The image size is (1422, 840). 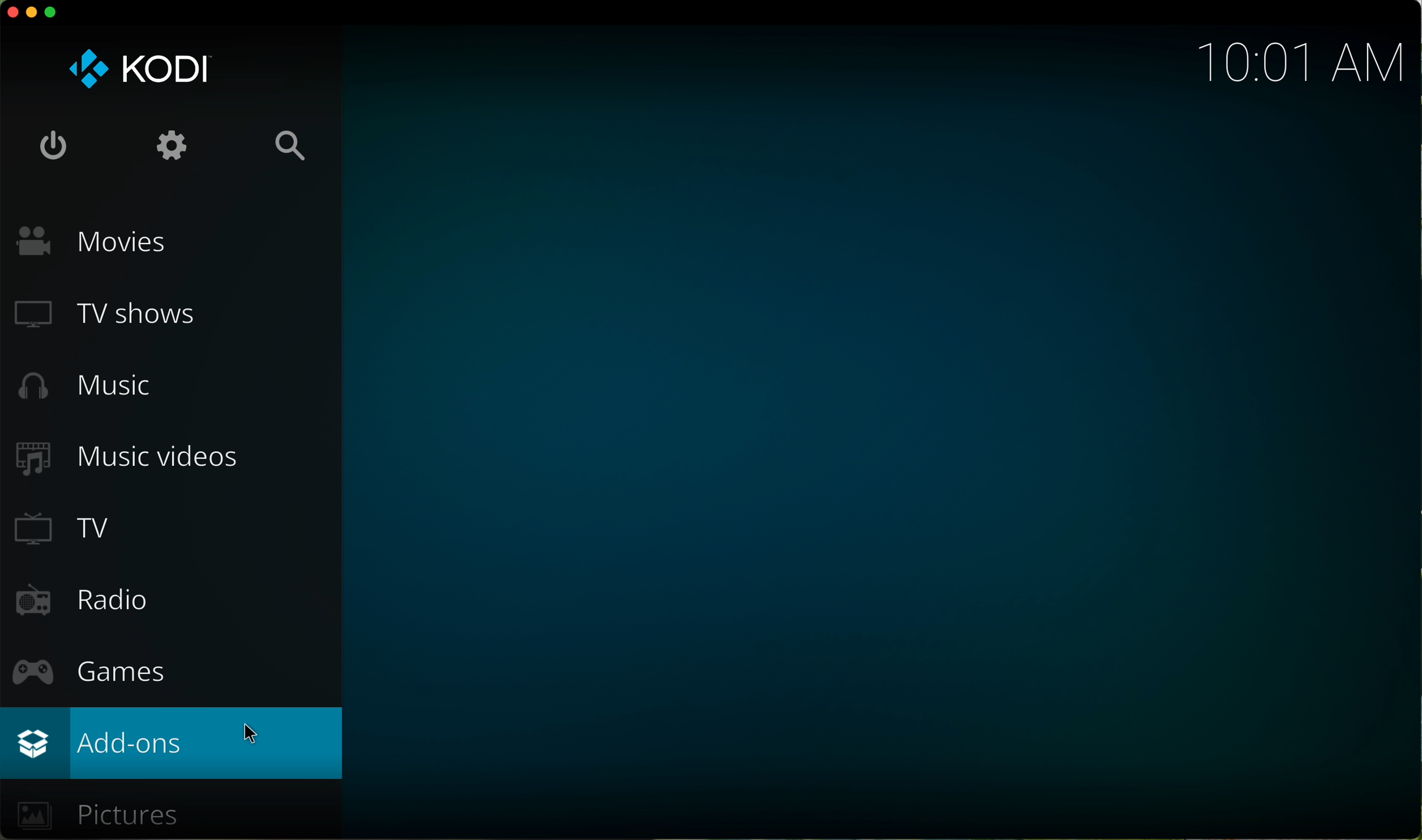 What do you see at coordinates (293, 146) in the screenshot?
I see `search` at bounding box center [293, 146].